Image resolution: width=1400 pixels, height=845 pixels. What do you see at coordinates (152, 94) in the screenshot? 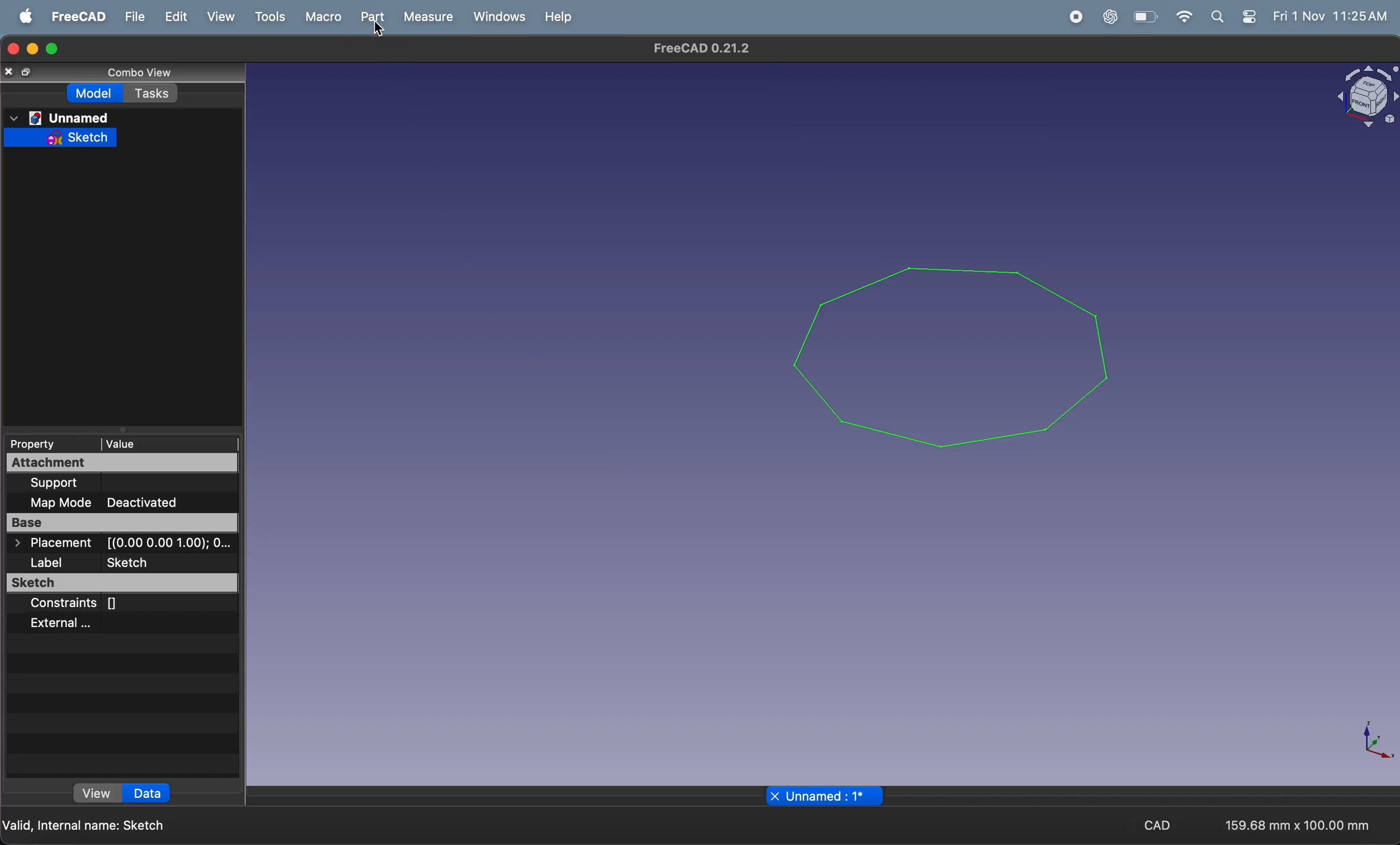
I see `tasks` at bounding box center [152, 94].